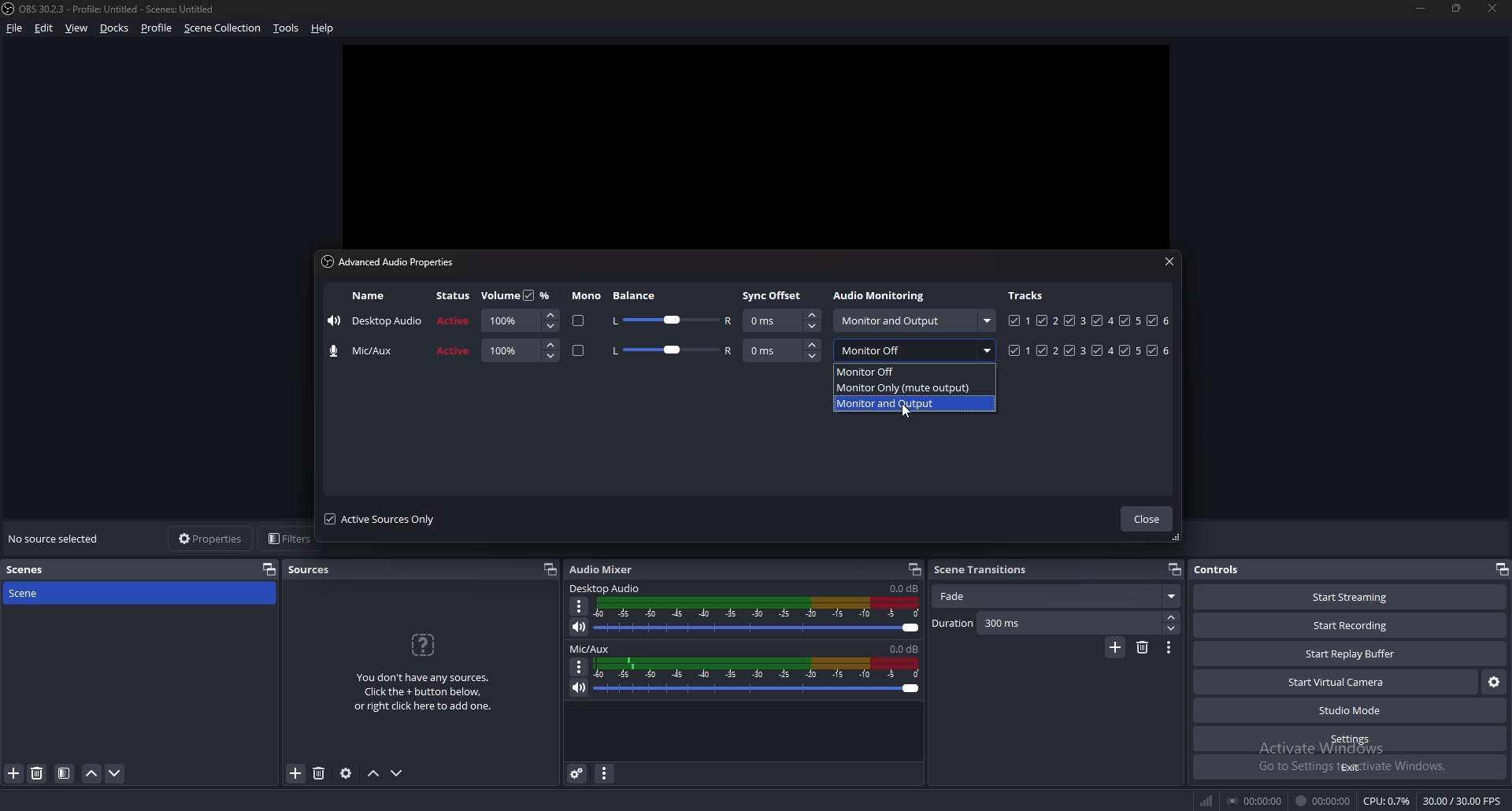  I want to click on CPU: 0.3%, so click(1388, 802).